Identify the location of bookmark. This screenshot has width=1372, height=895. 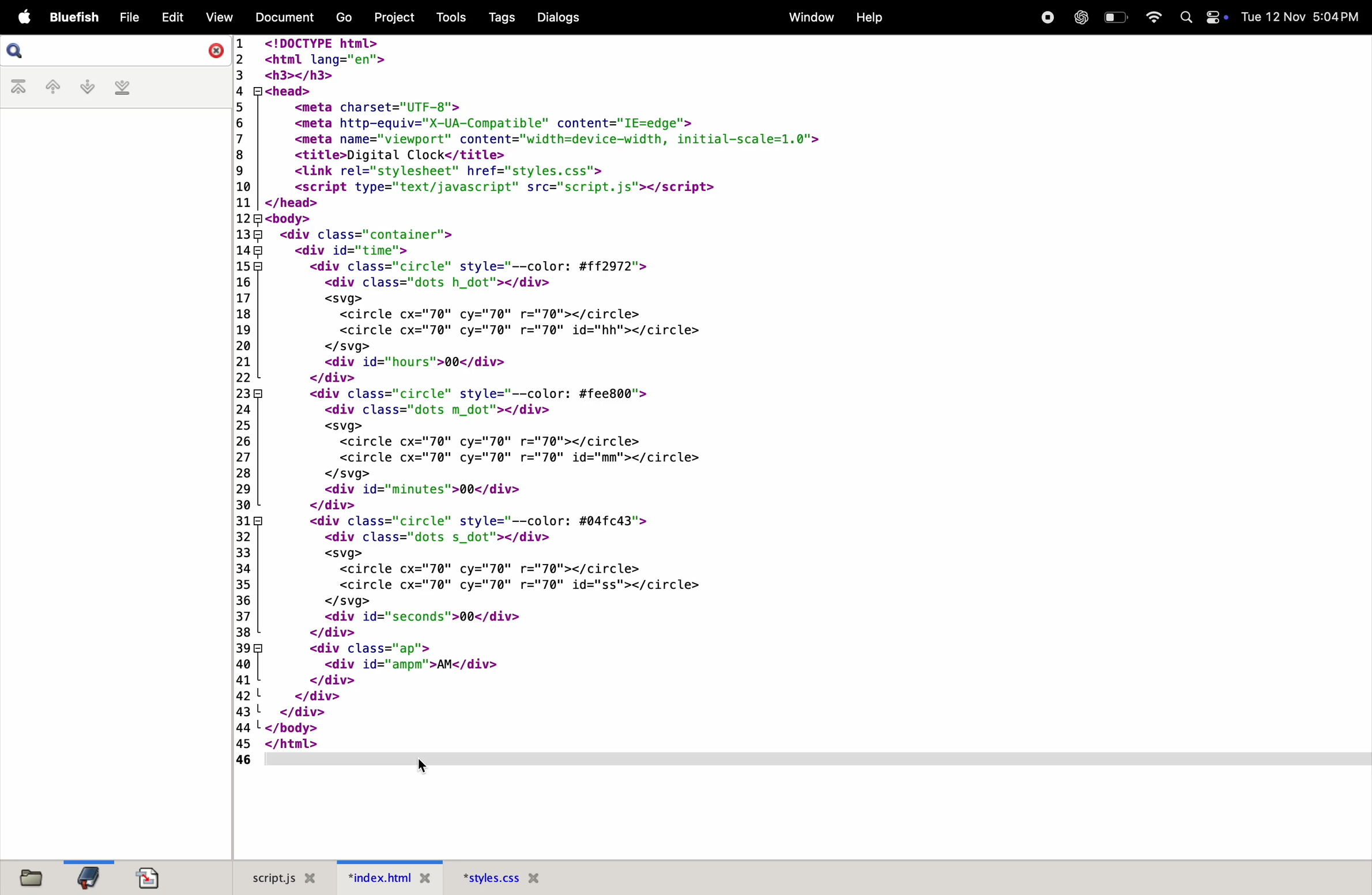
(87, 878).